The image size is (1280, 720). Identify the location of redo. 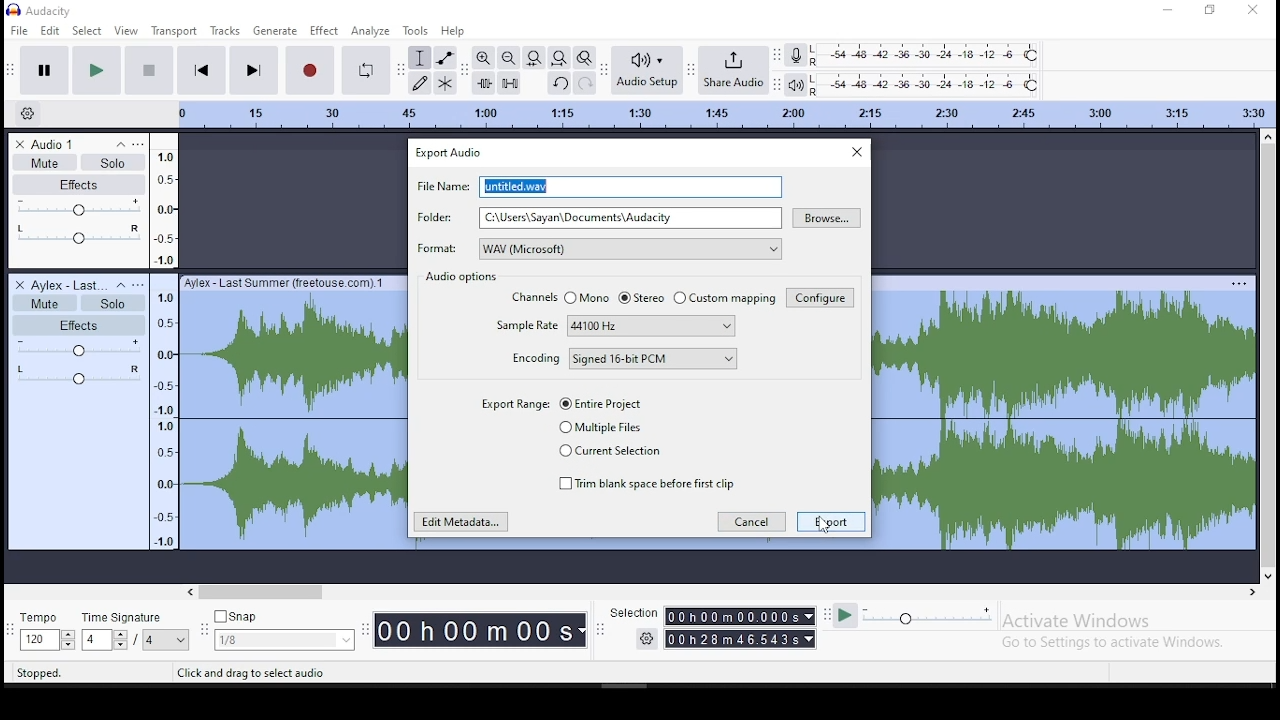
(583, 83).